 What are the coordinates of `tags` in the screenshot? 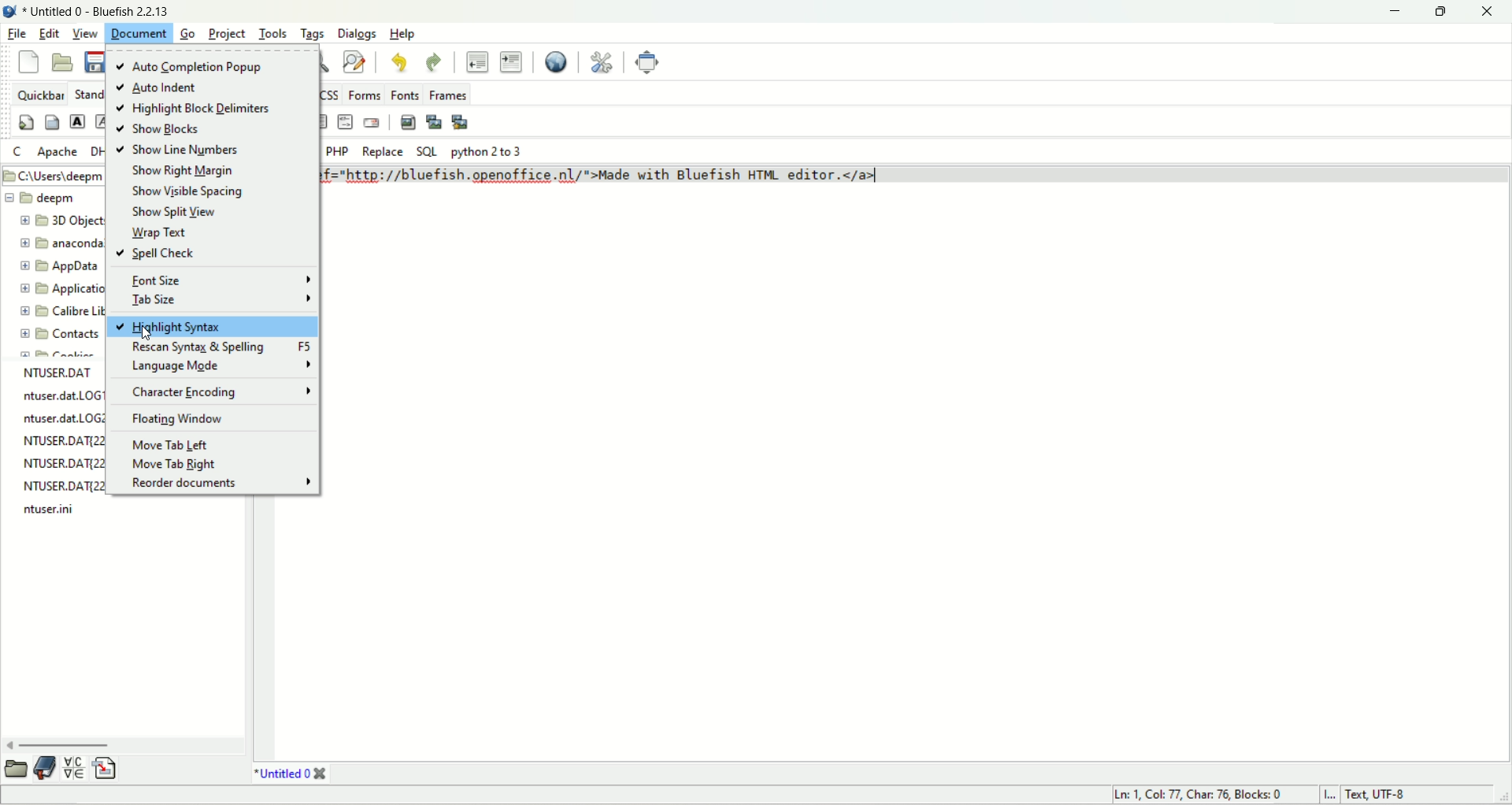 It's located at (313, 34).